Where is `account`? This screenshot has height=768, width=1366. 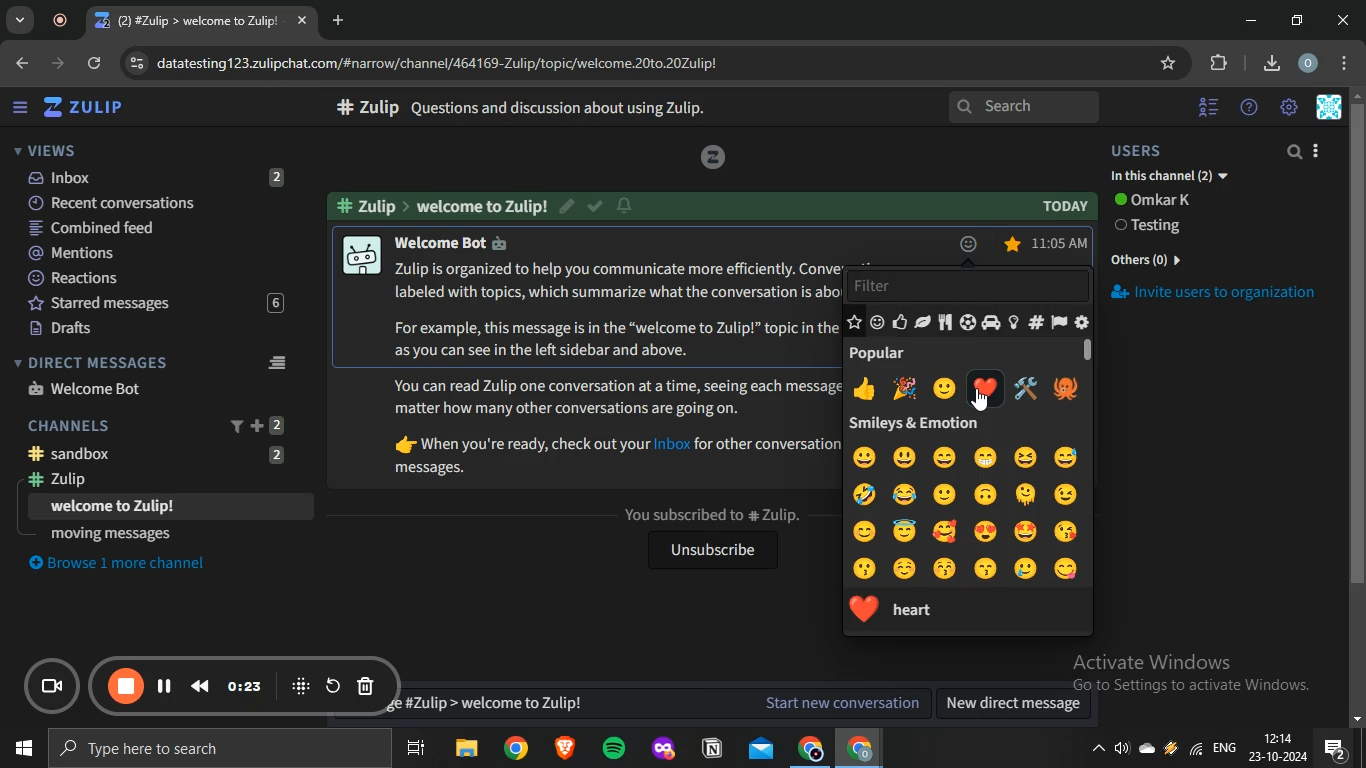
account is located at coordinates (1309, 64).